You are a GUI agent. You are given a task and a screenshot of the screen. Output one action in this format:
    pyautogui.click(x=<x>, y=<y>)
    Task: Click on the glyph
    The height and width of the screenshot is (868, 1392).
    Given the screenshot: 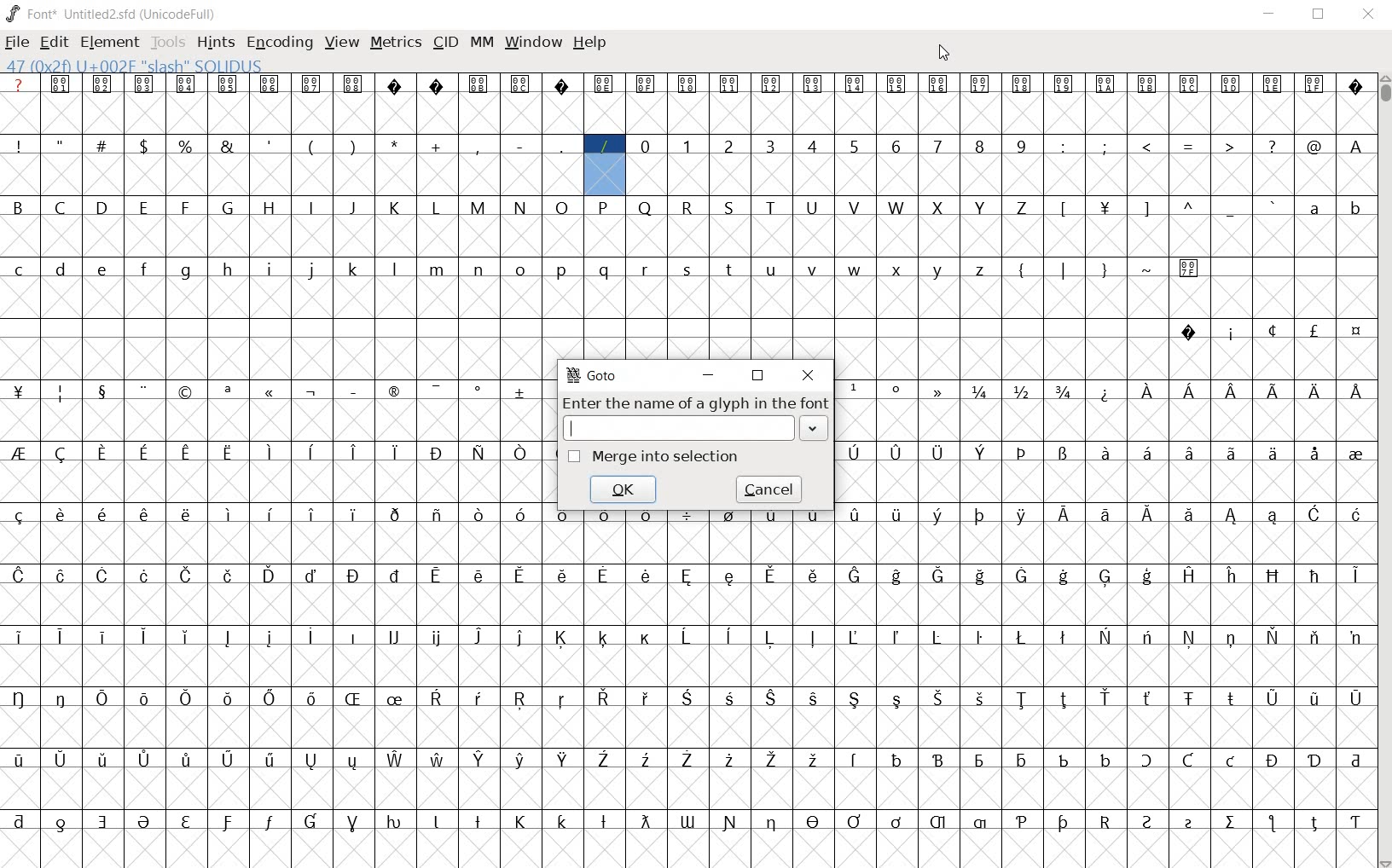 What is the action you would take?
    pyautogui.click(x=561, y=638)
    